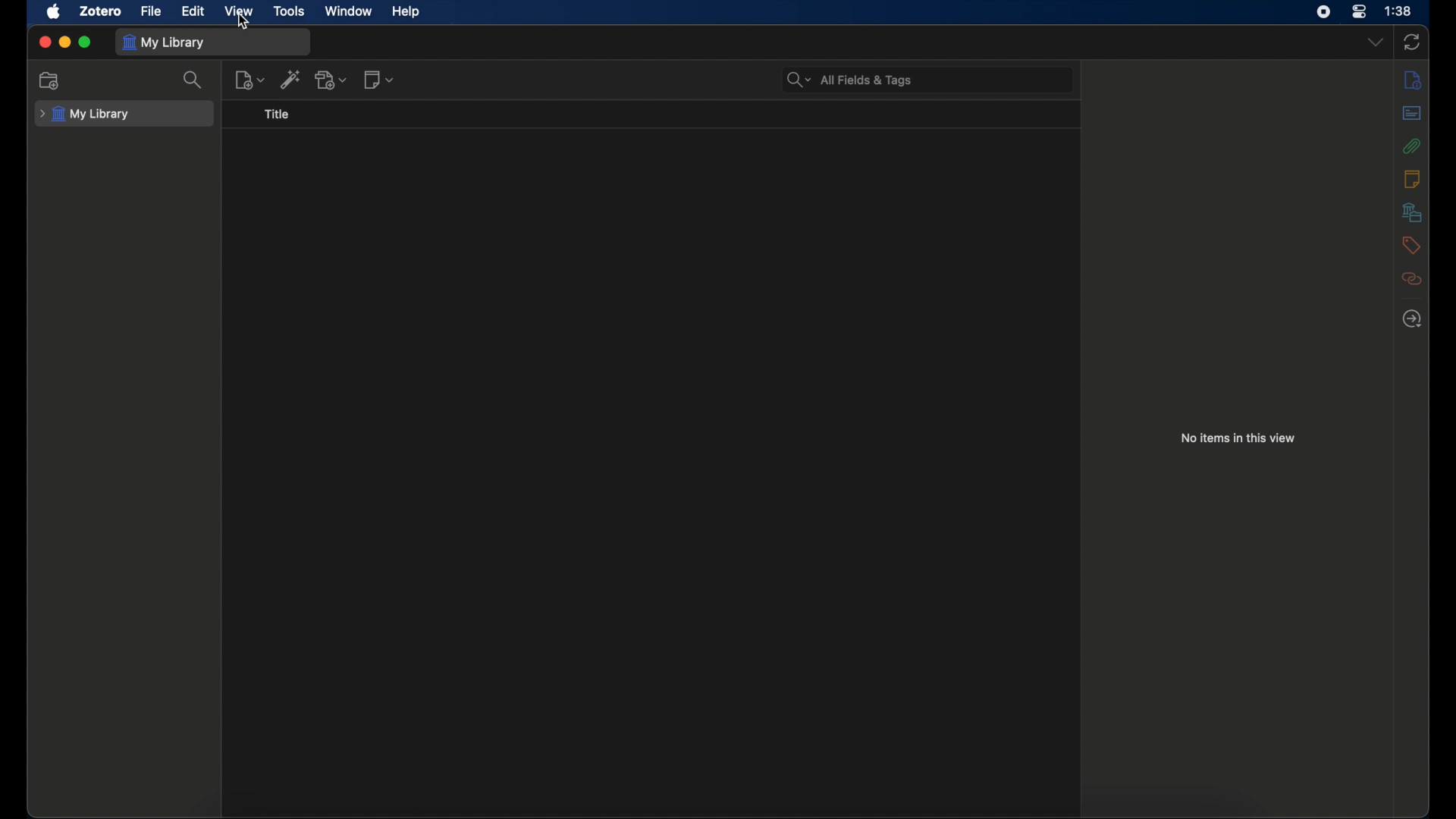  Describe the element at coordinates (379, 80) in the screenshot. I see `new notes` at that location.